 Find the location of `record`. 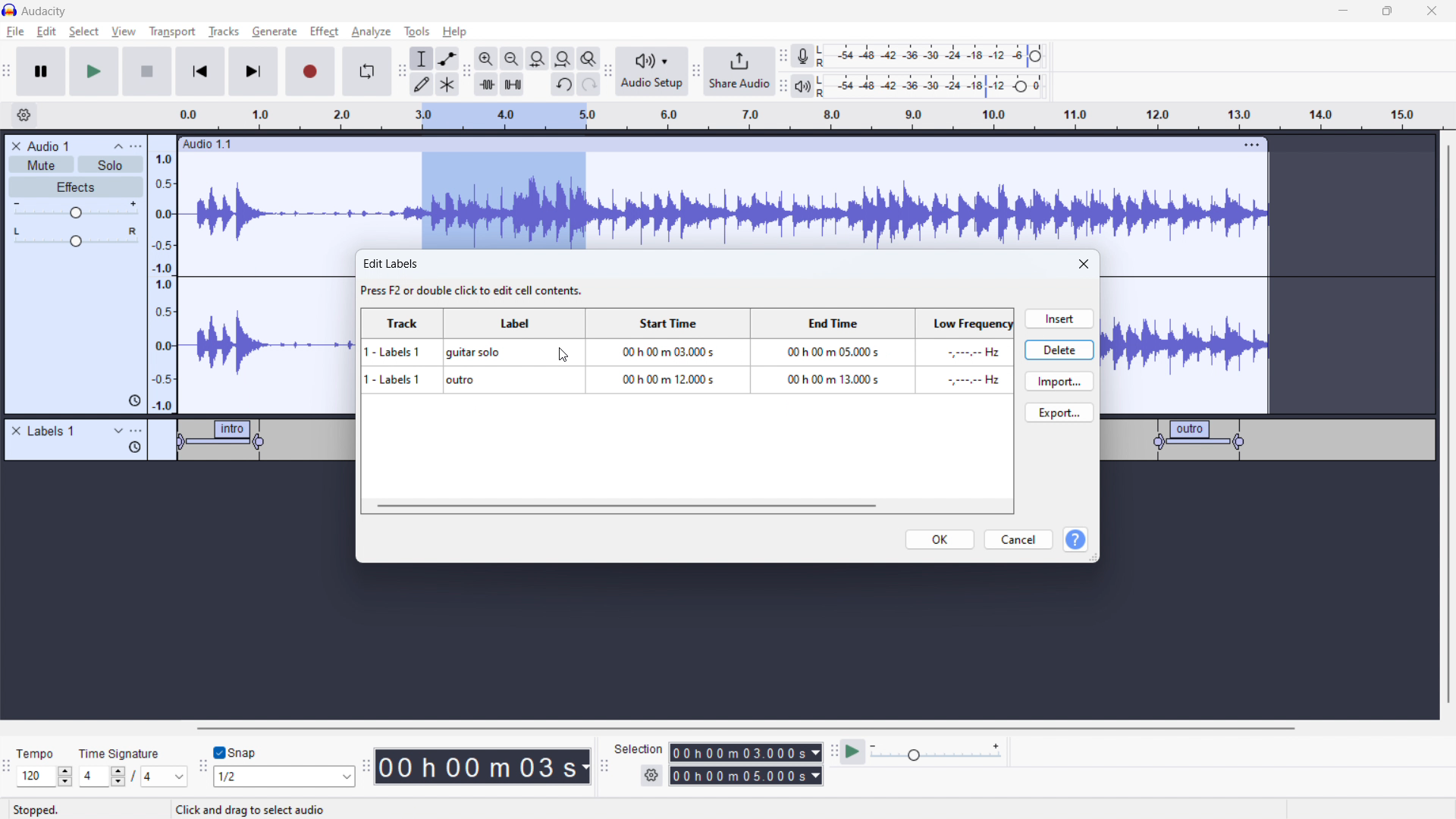

record is located at coordinates (311, 71).